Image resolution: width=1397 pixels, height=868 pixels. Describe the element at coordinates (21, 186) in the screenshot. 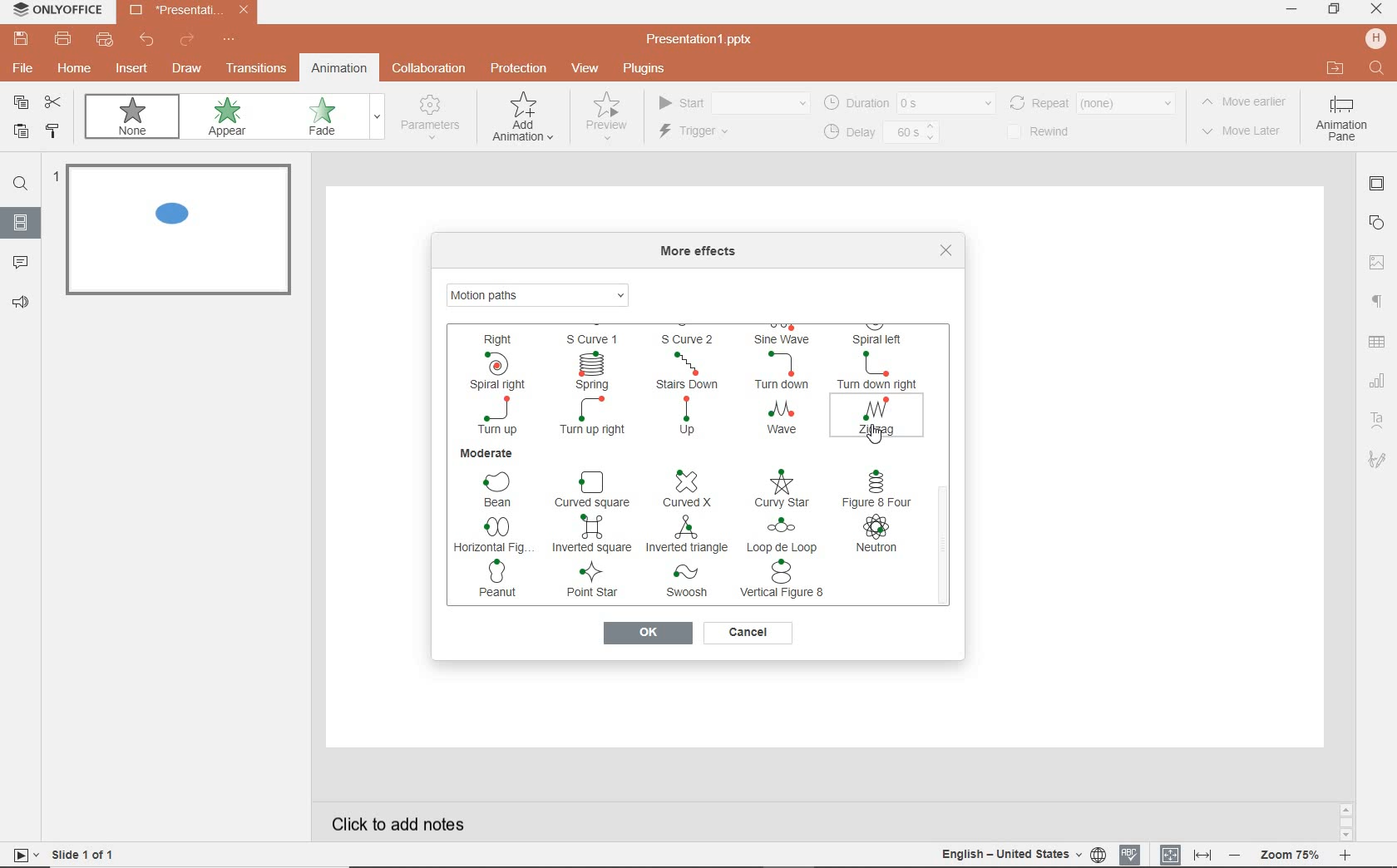

I see `find` at that location.